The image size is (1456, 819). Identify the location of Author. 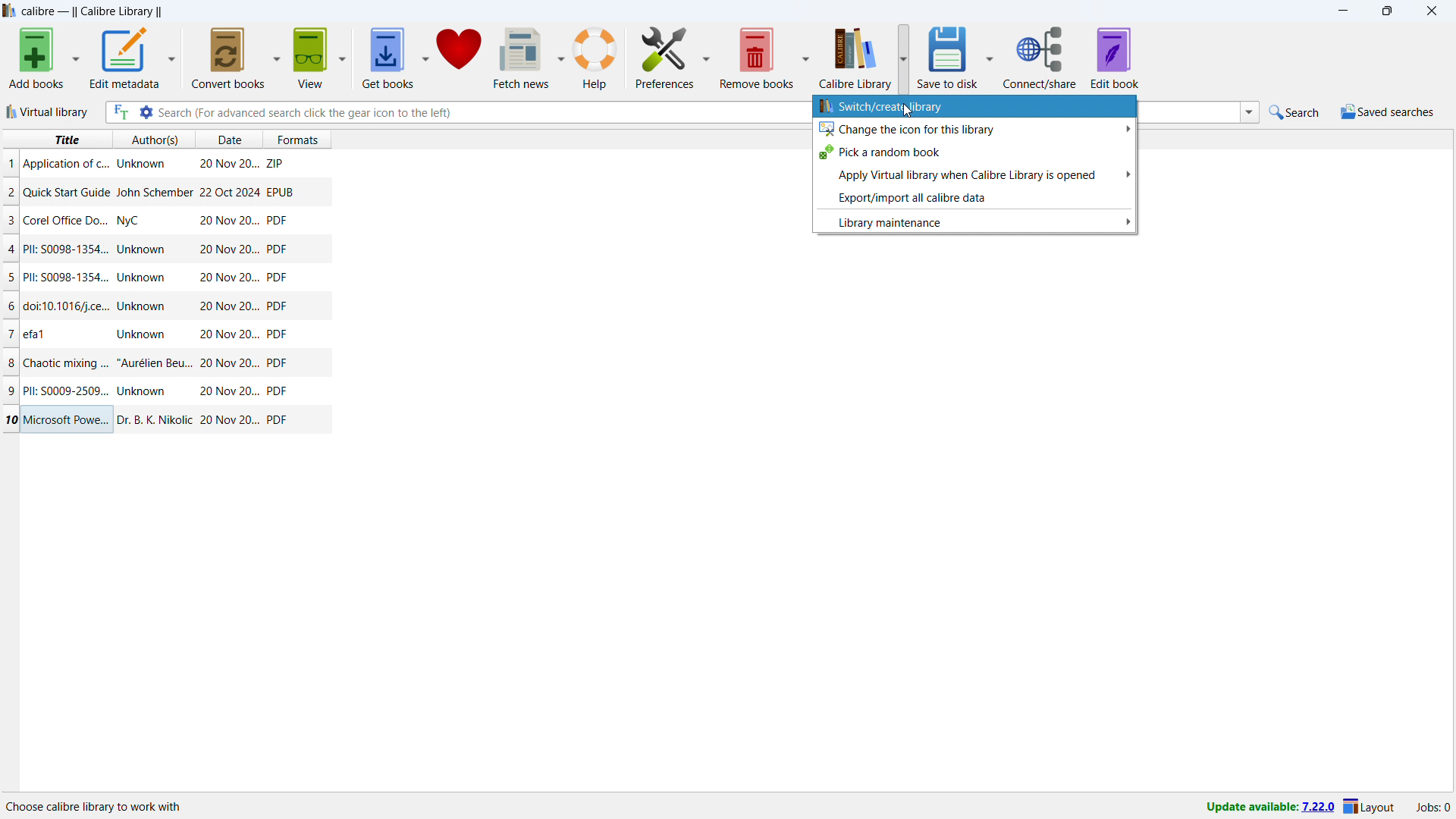
(144, 391).